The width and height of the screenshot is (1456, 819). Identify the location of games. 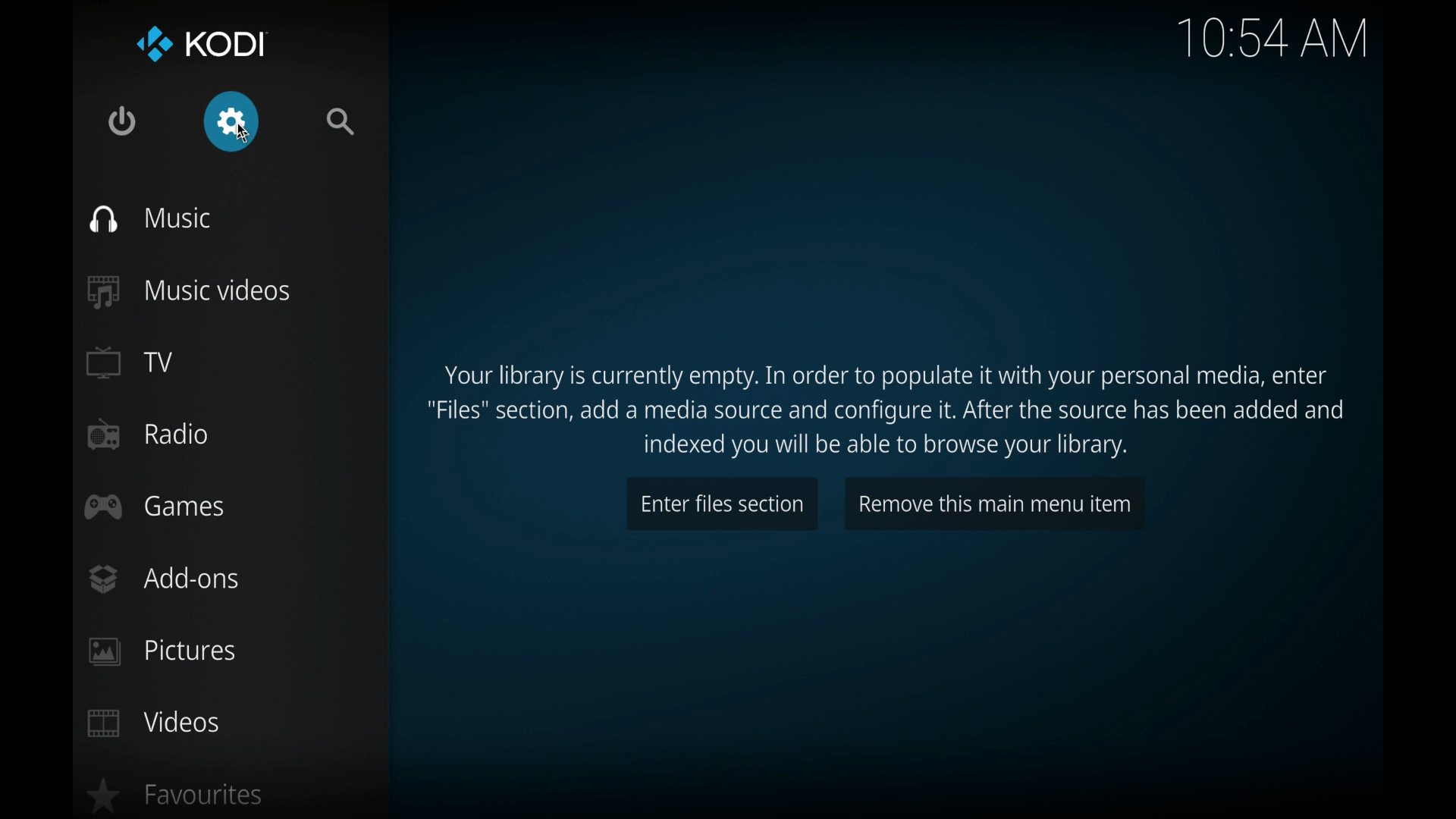
(155, 507).